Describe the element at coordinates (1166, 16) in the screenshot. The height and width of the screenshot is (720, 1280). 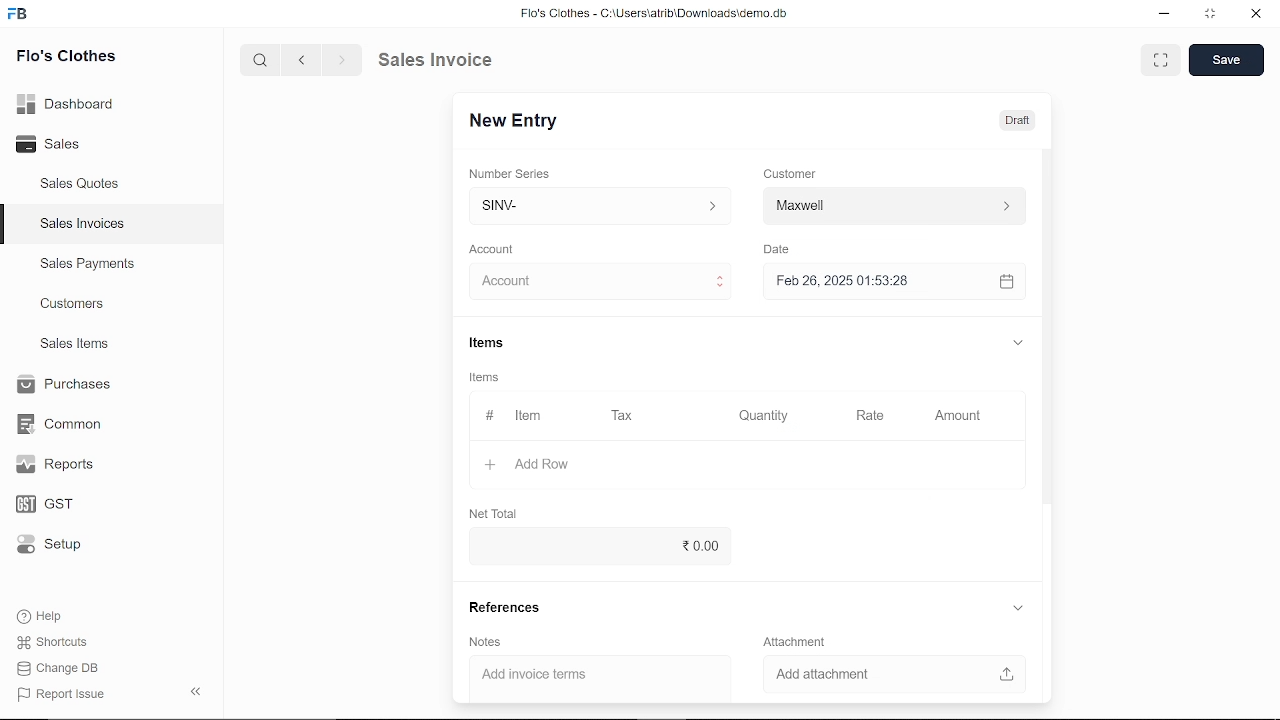
I see `minimize` at that location.